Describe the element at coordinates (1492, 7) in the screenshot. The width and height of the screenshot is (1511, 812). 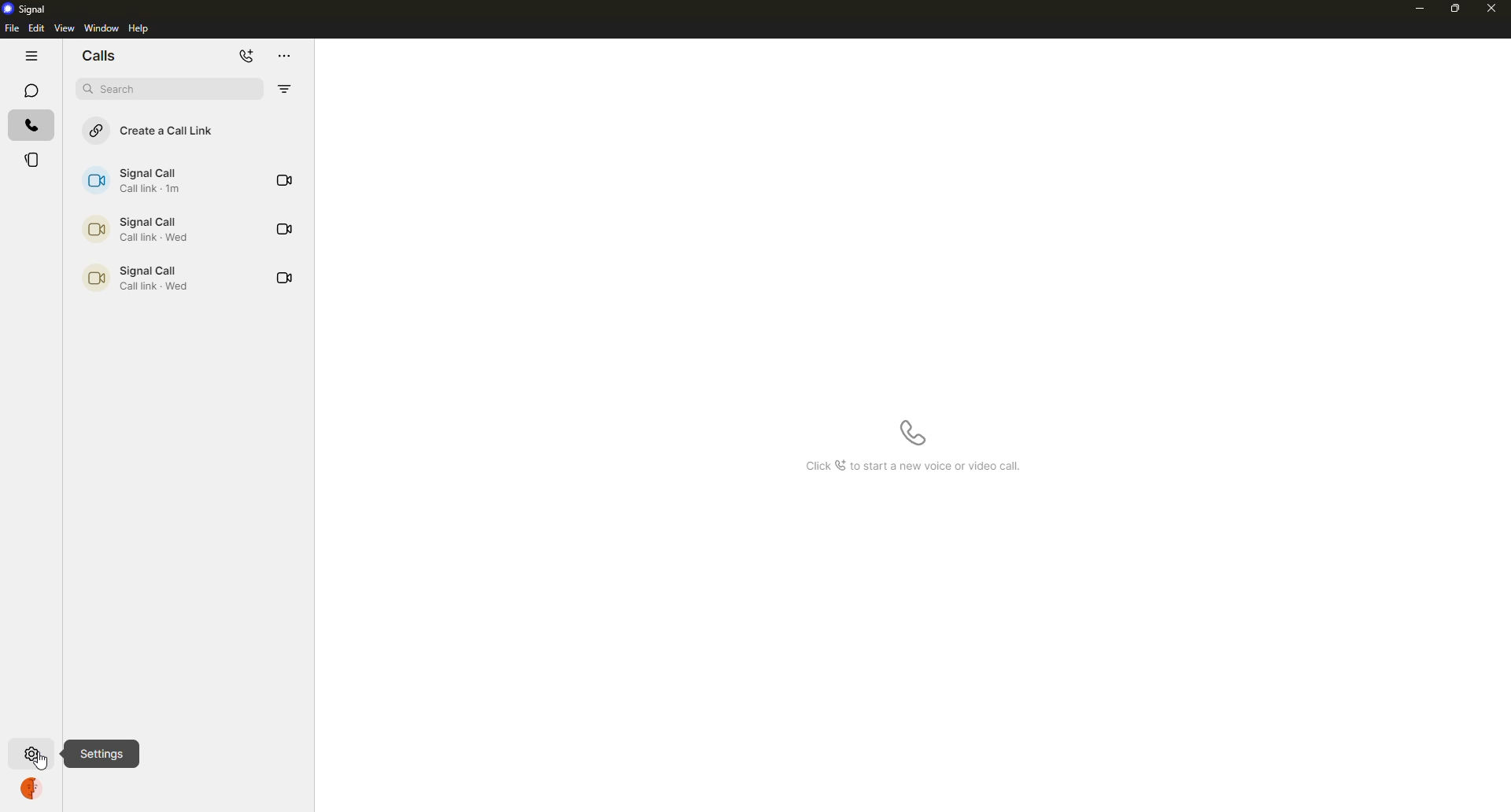
I see `close` at that location.